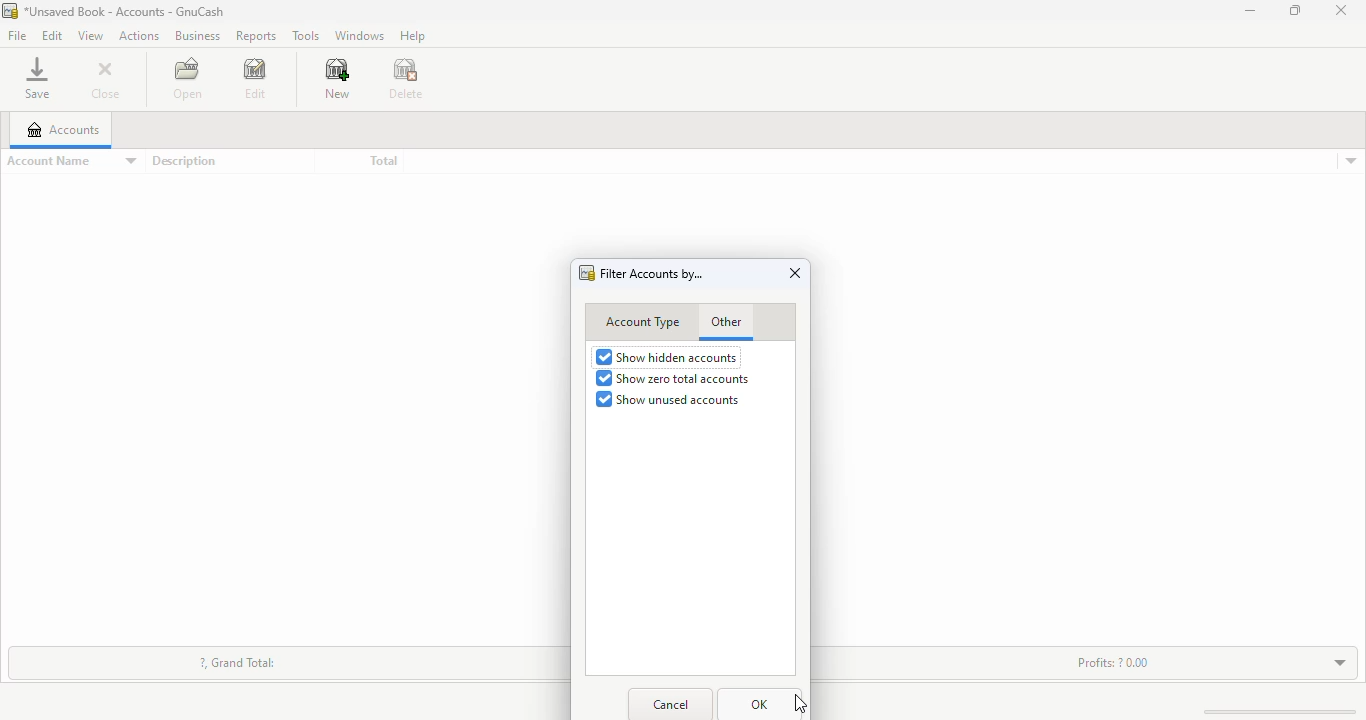 The image size is (1366, 720). I want to click on OK, so click(759, 704).